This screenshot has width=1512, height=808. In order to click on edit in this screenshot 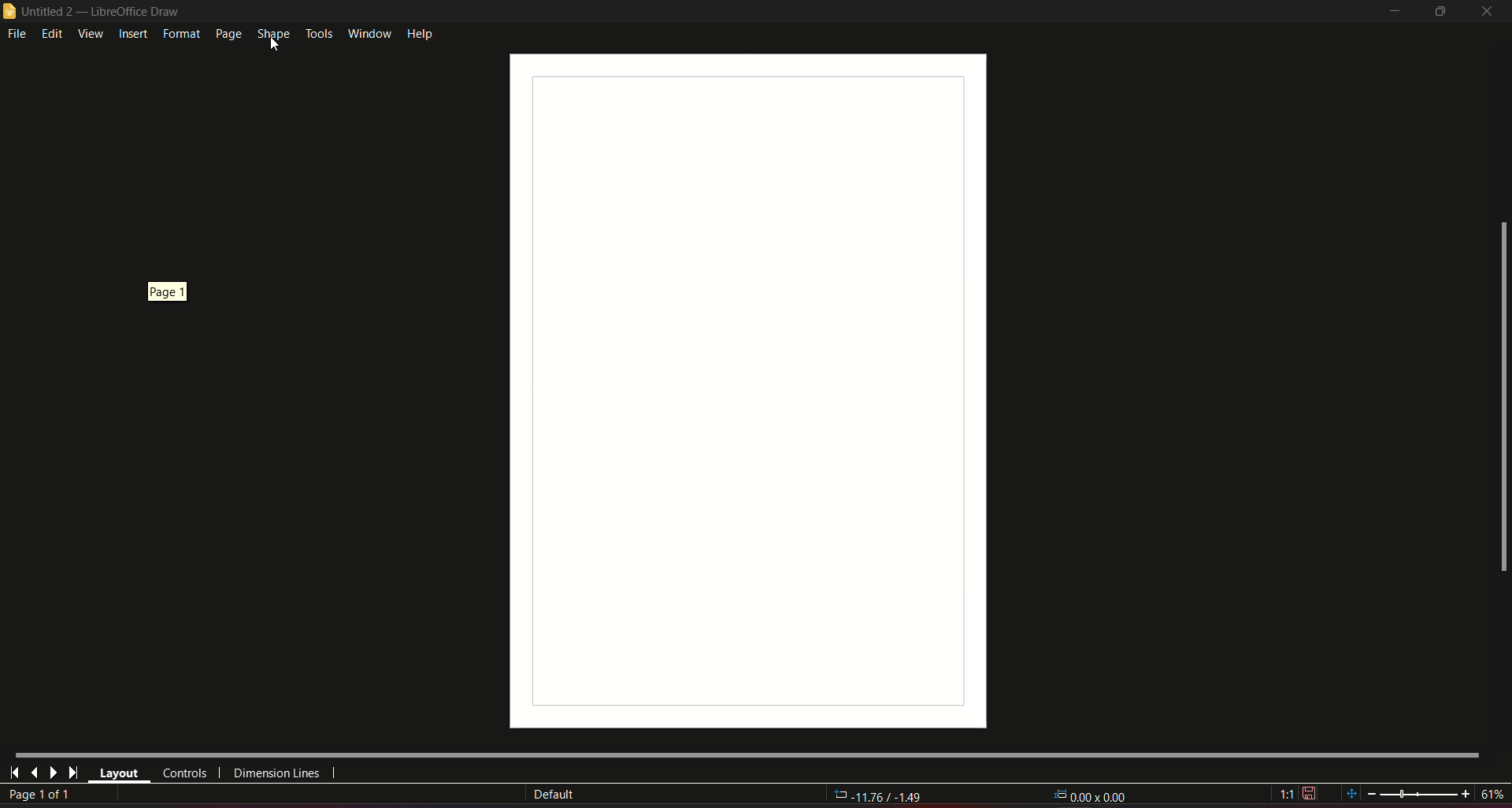, I will do `click(53, 33)`.